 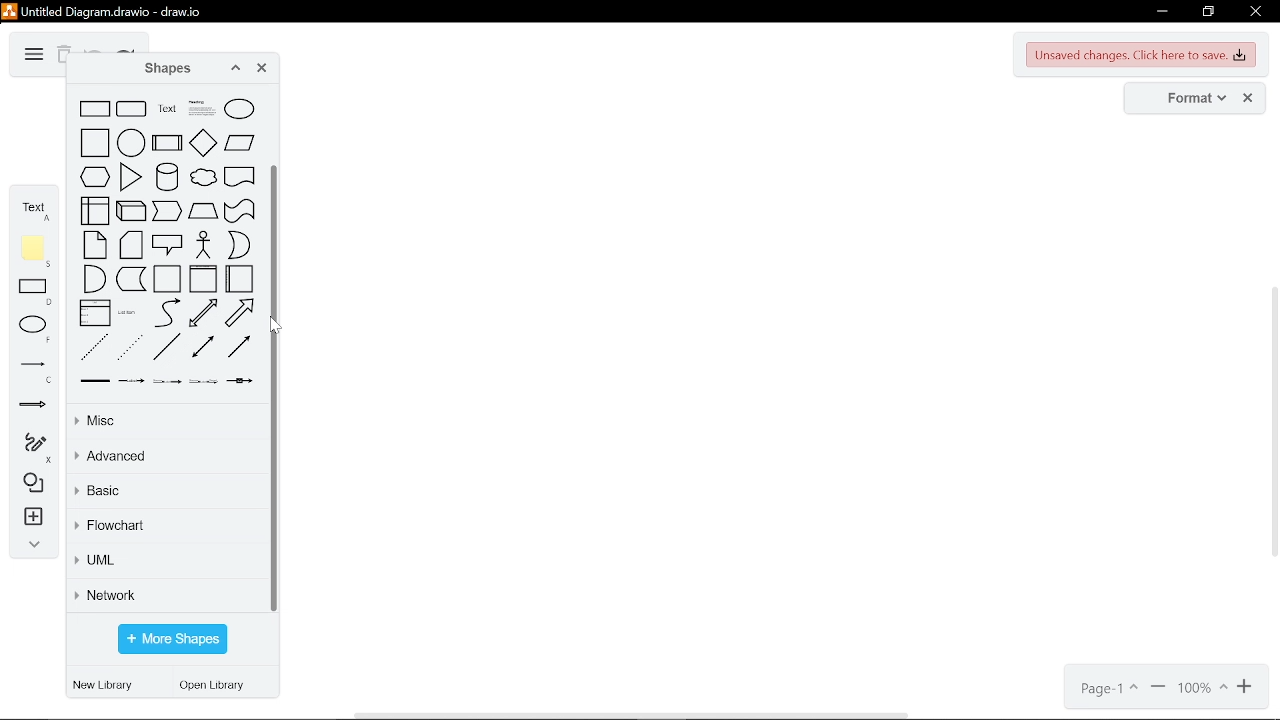 I want to click on hexagon, so click(x=95, y=176).